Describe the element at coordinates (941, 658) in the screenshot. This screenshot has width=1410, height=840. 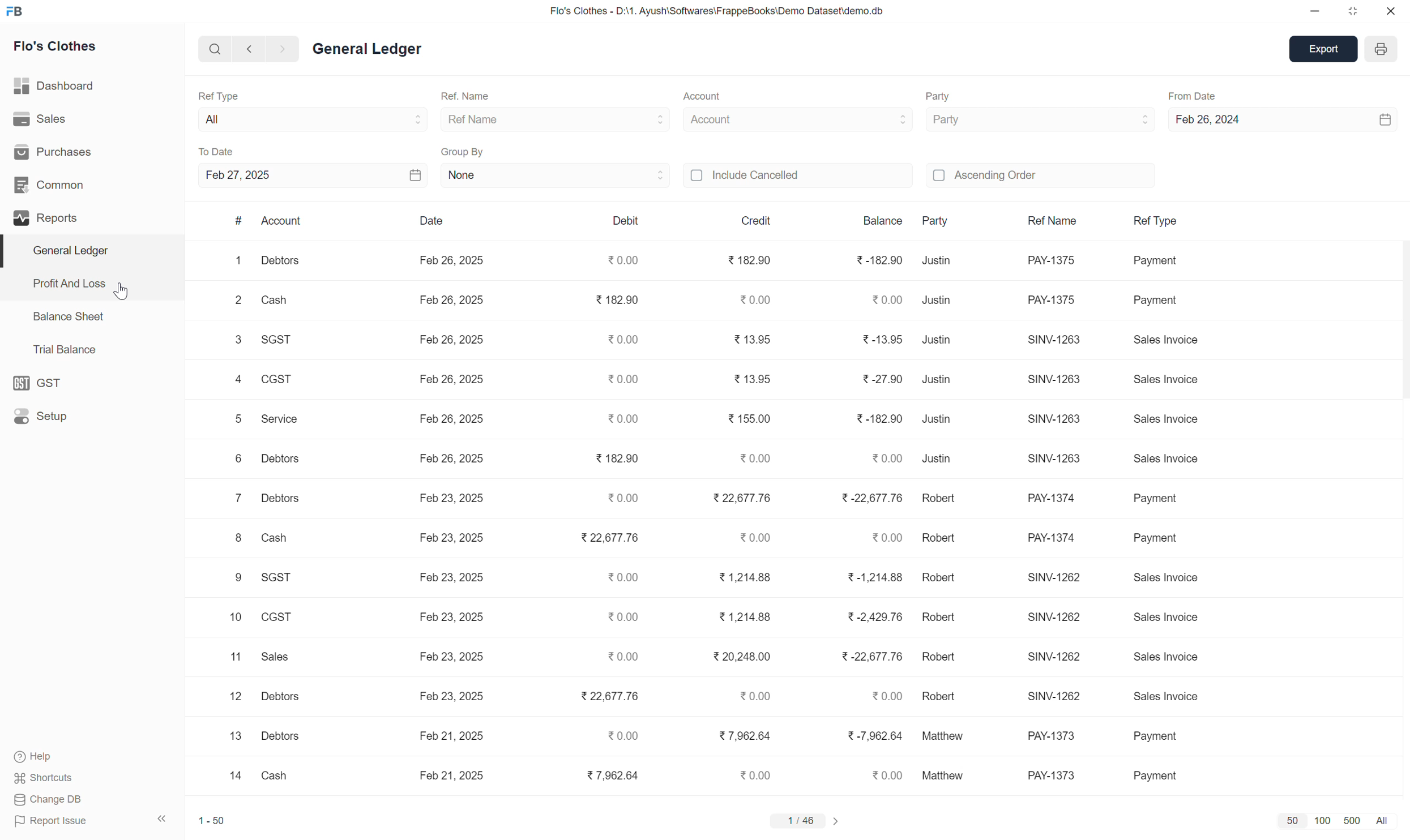
I see `Robert` at that location.